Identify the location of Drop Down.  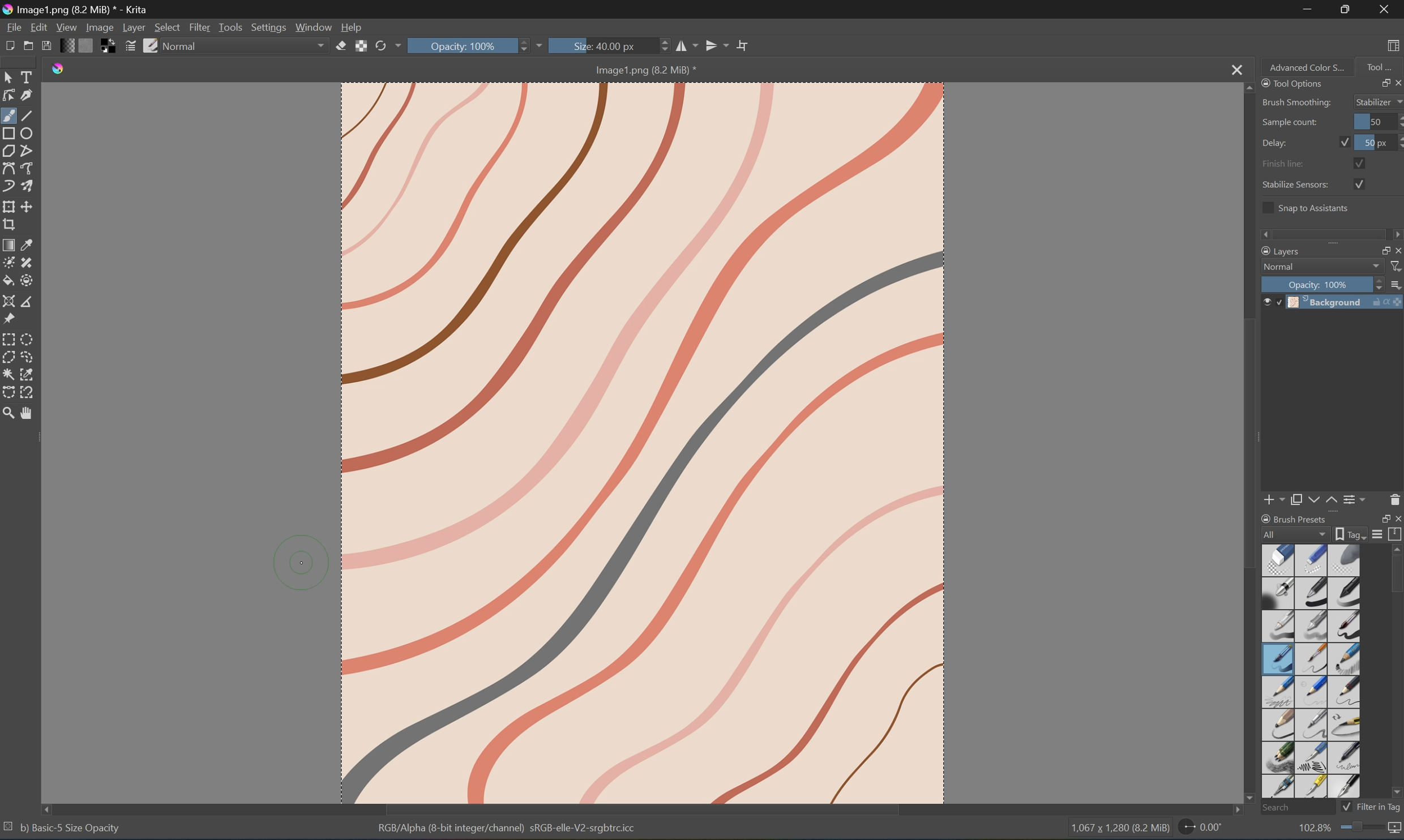
(397, 46).